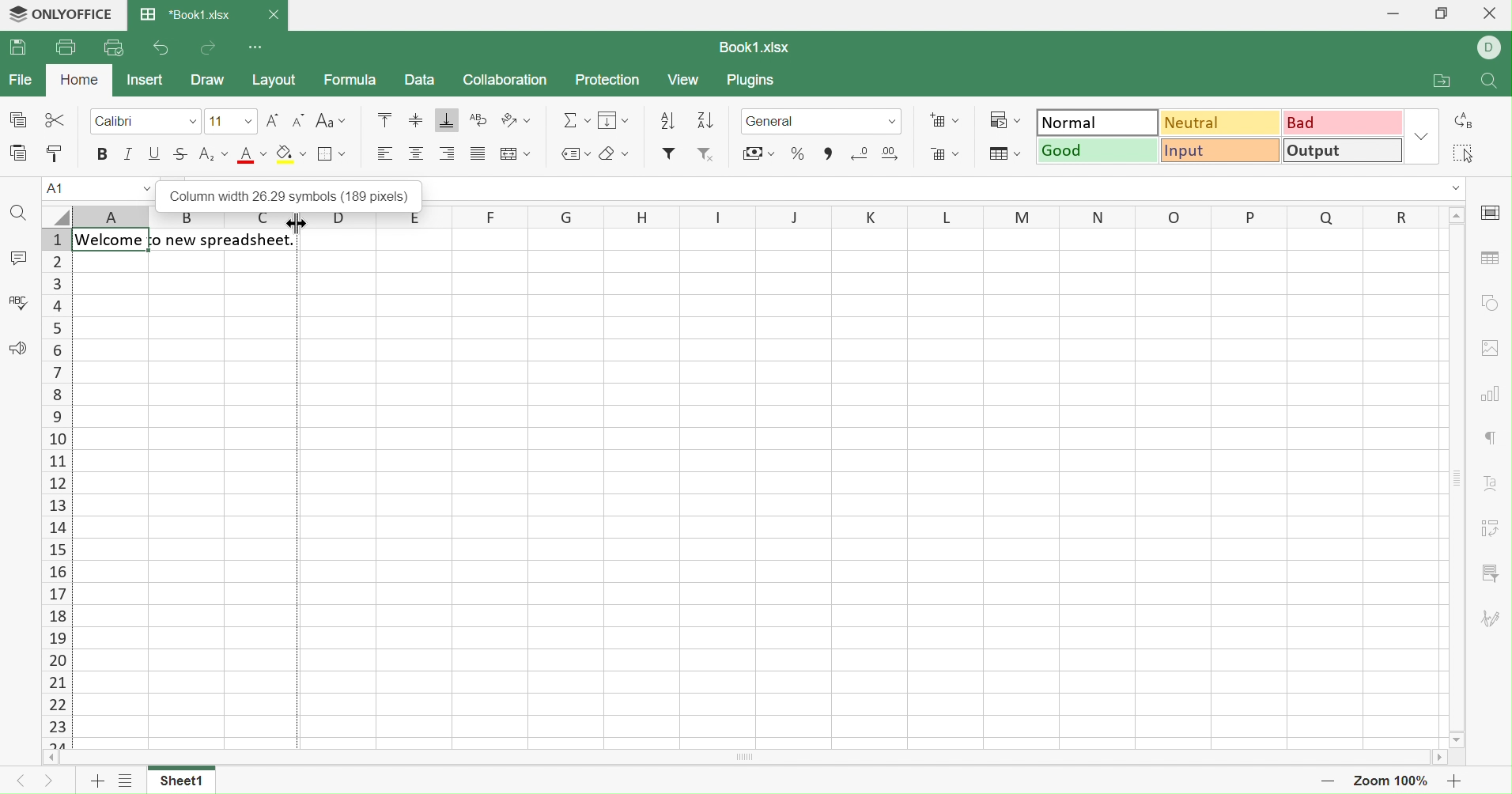 The width and height of the screenshot is (1512, 794). Describe the element at coordinates (18, 781) in the screenshot. I see `Previous` at that location.